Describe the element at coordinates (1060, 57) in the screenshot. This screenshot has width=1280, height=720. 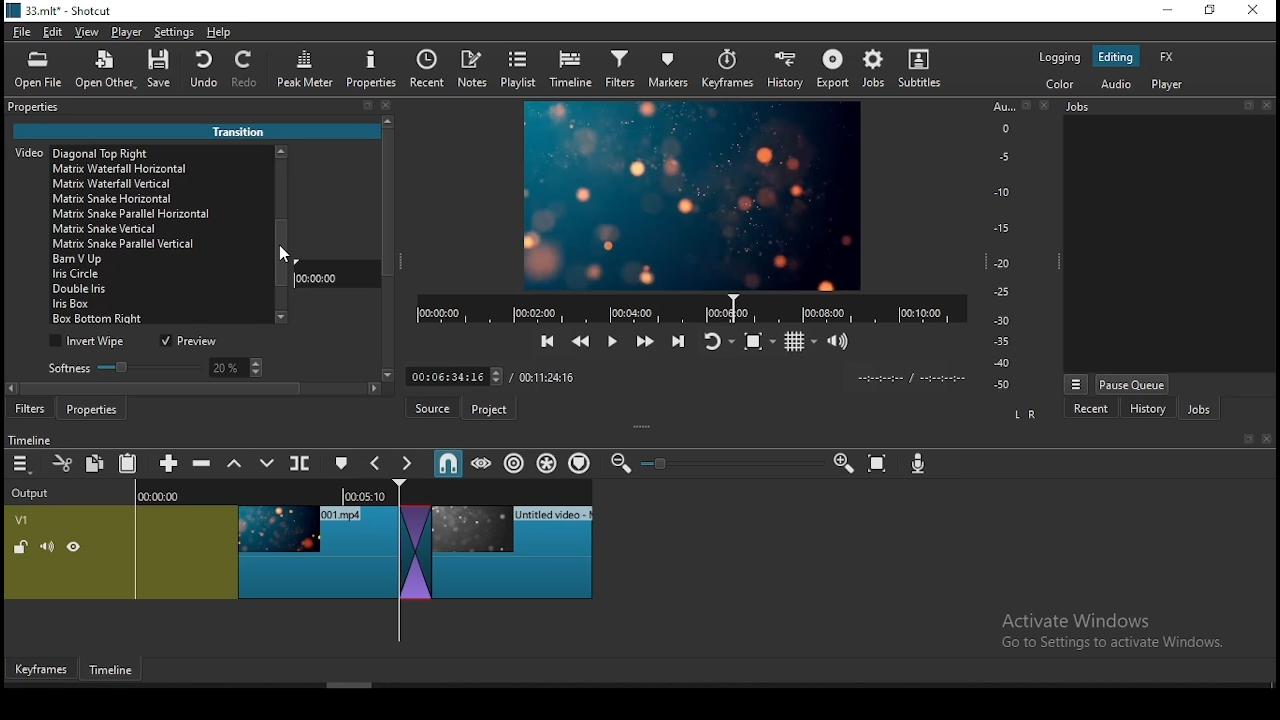
I see `color` at that location.